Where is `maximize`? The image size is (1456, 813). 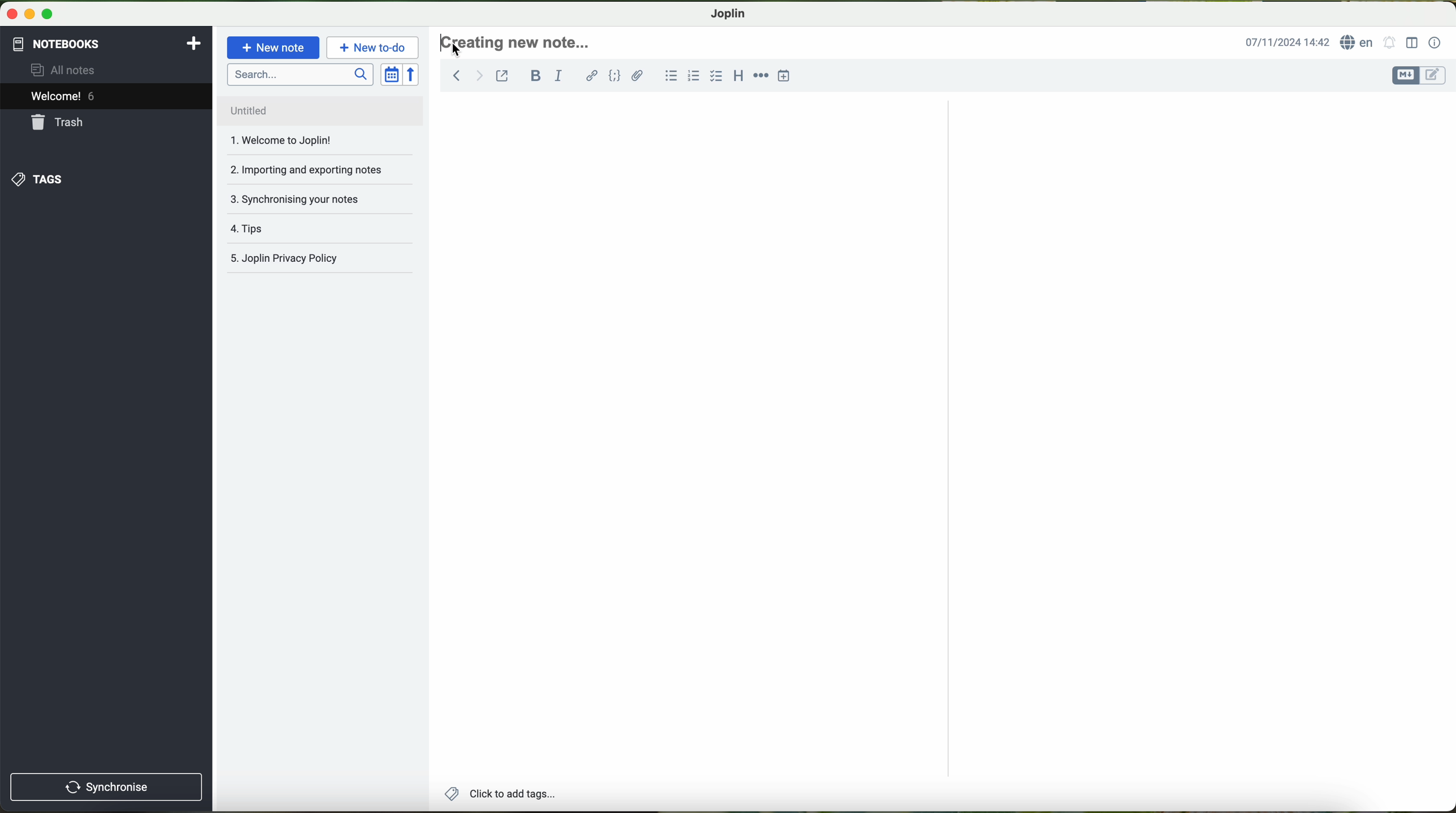 maximize is located at coordinates (47, 18).